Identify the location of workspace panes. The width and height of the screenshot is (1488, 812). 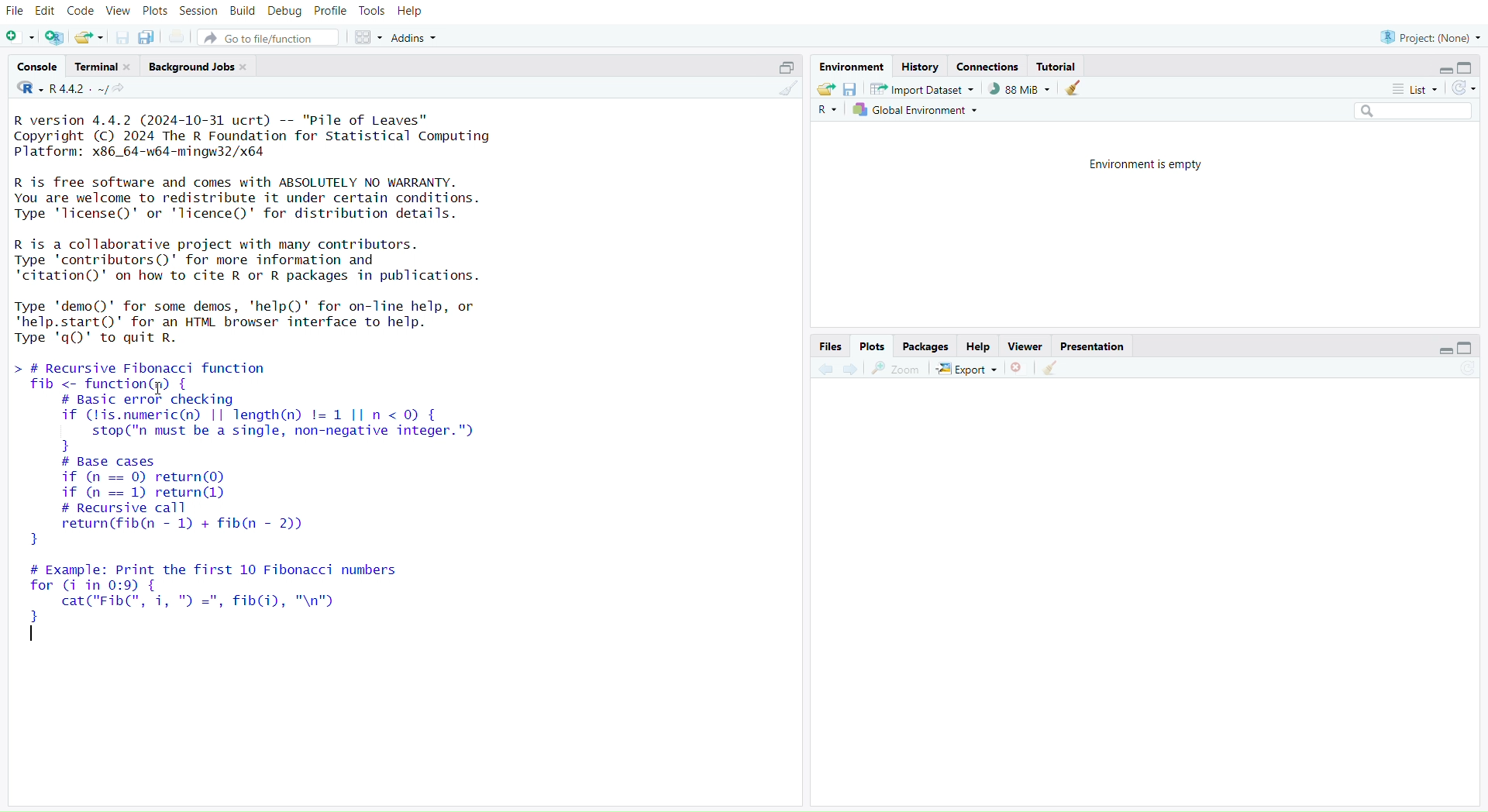
(367, 38).